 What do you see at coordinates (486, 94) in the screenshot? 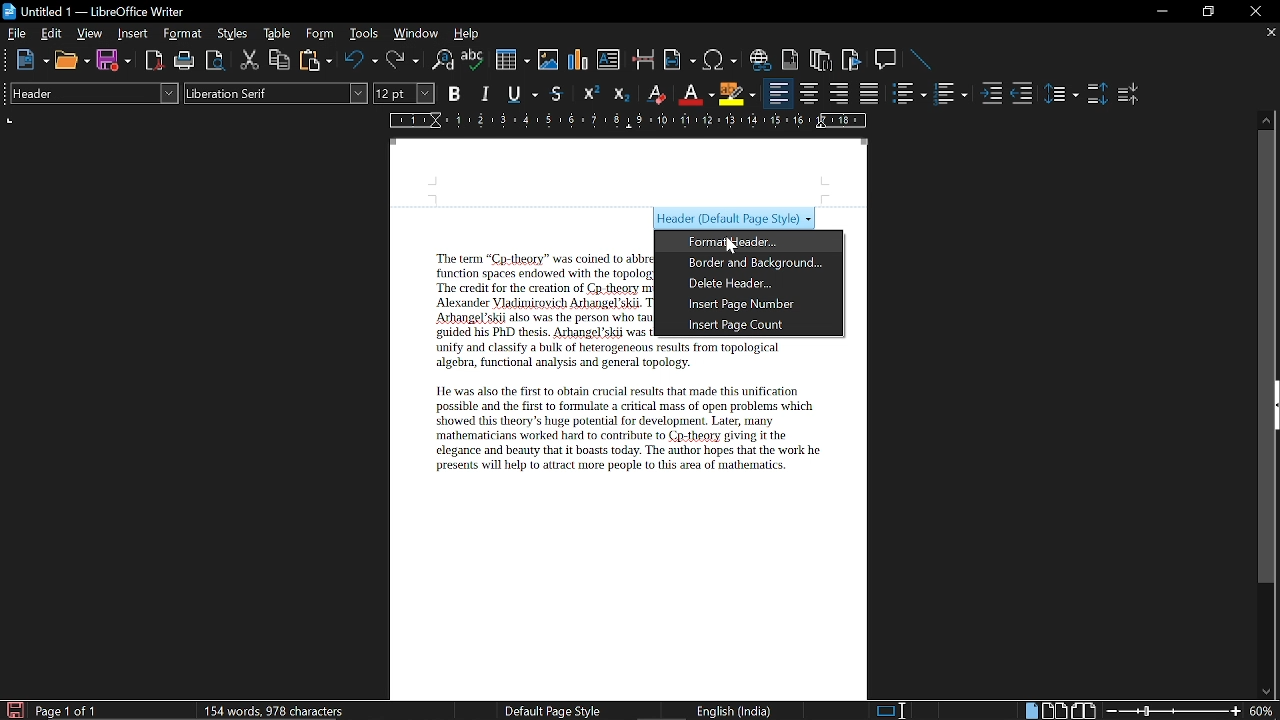
I see `Italic` at bounding box center [486, 94].